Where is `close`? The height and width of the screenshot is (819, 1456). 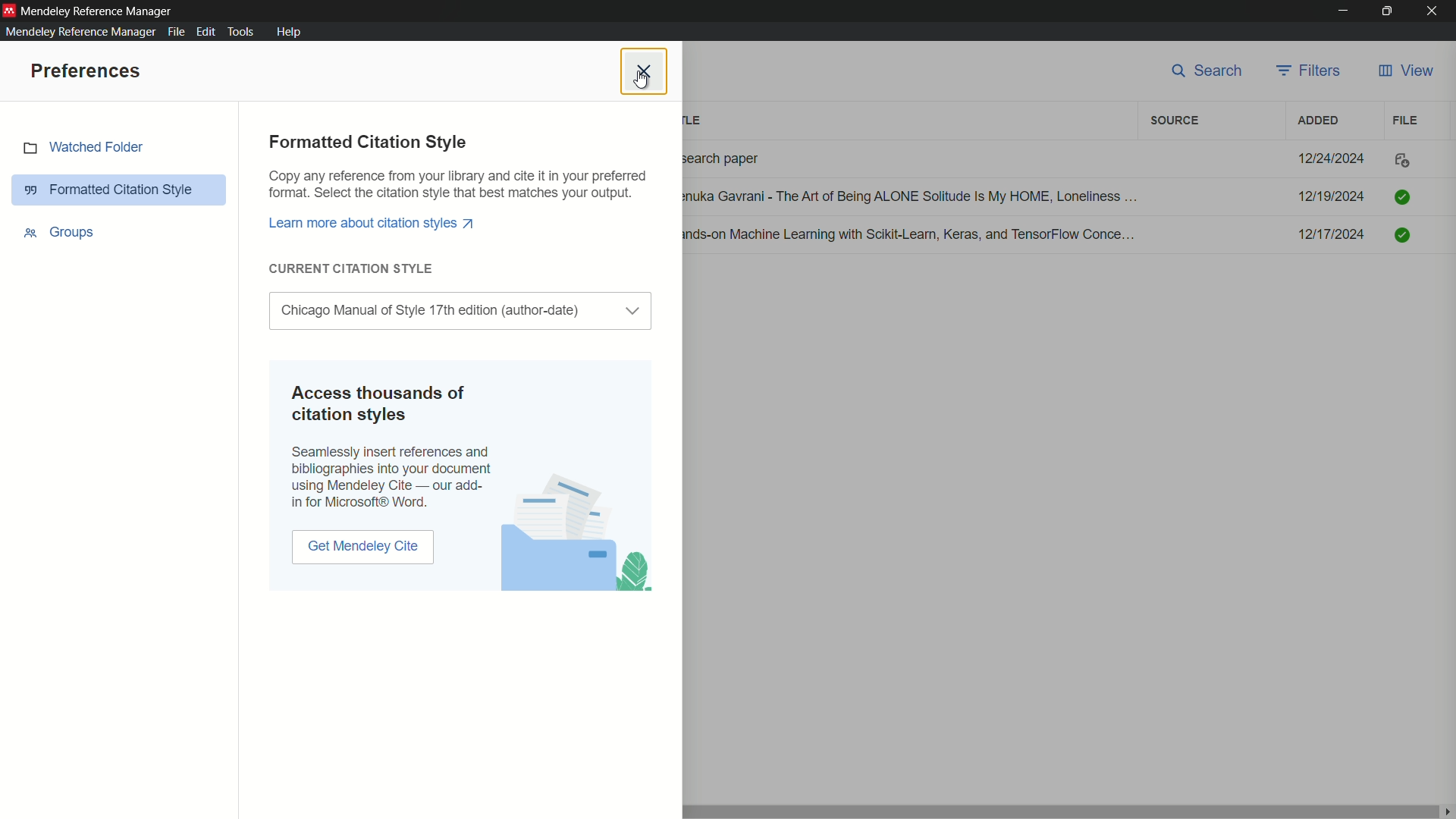
close is located at coordinates (643, 71).